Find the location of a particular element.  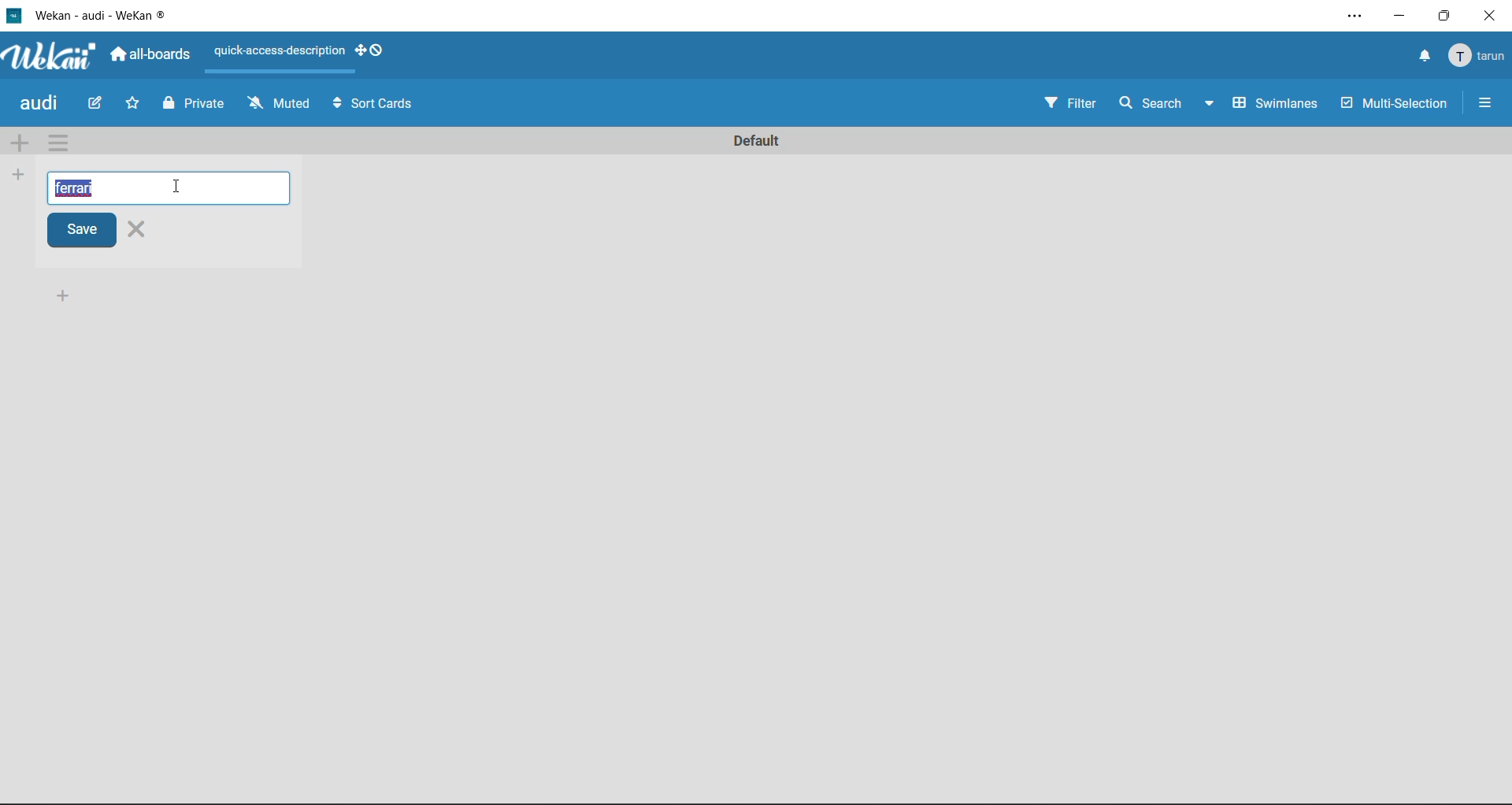

Wekan - audi - WeKan ® is located at coordinates (106, 13).